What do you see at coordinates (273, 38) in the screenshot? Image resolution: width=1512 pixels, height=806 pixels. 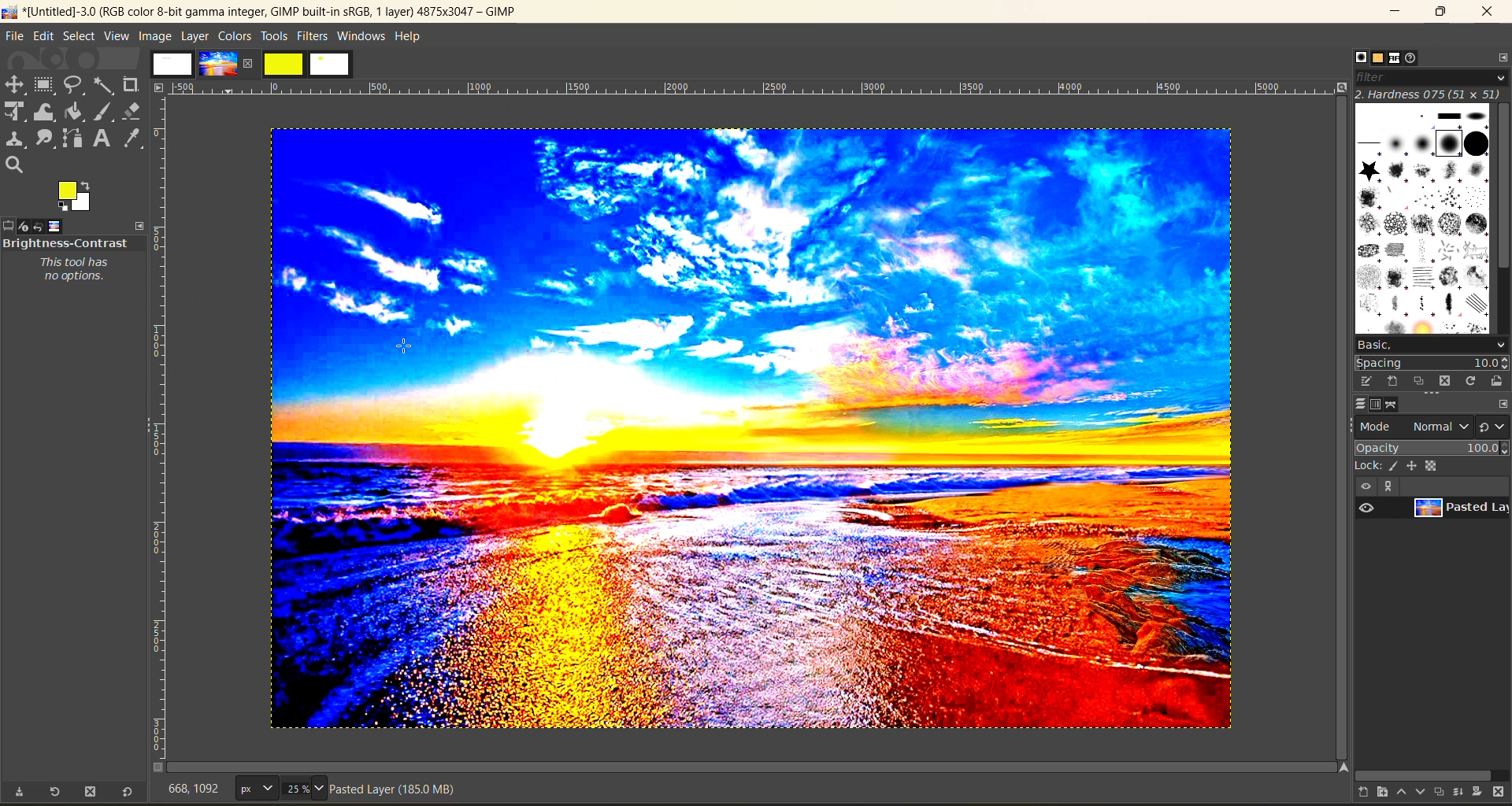 I see `tools` at bounding box center [273, 38].